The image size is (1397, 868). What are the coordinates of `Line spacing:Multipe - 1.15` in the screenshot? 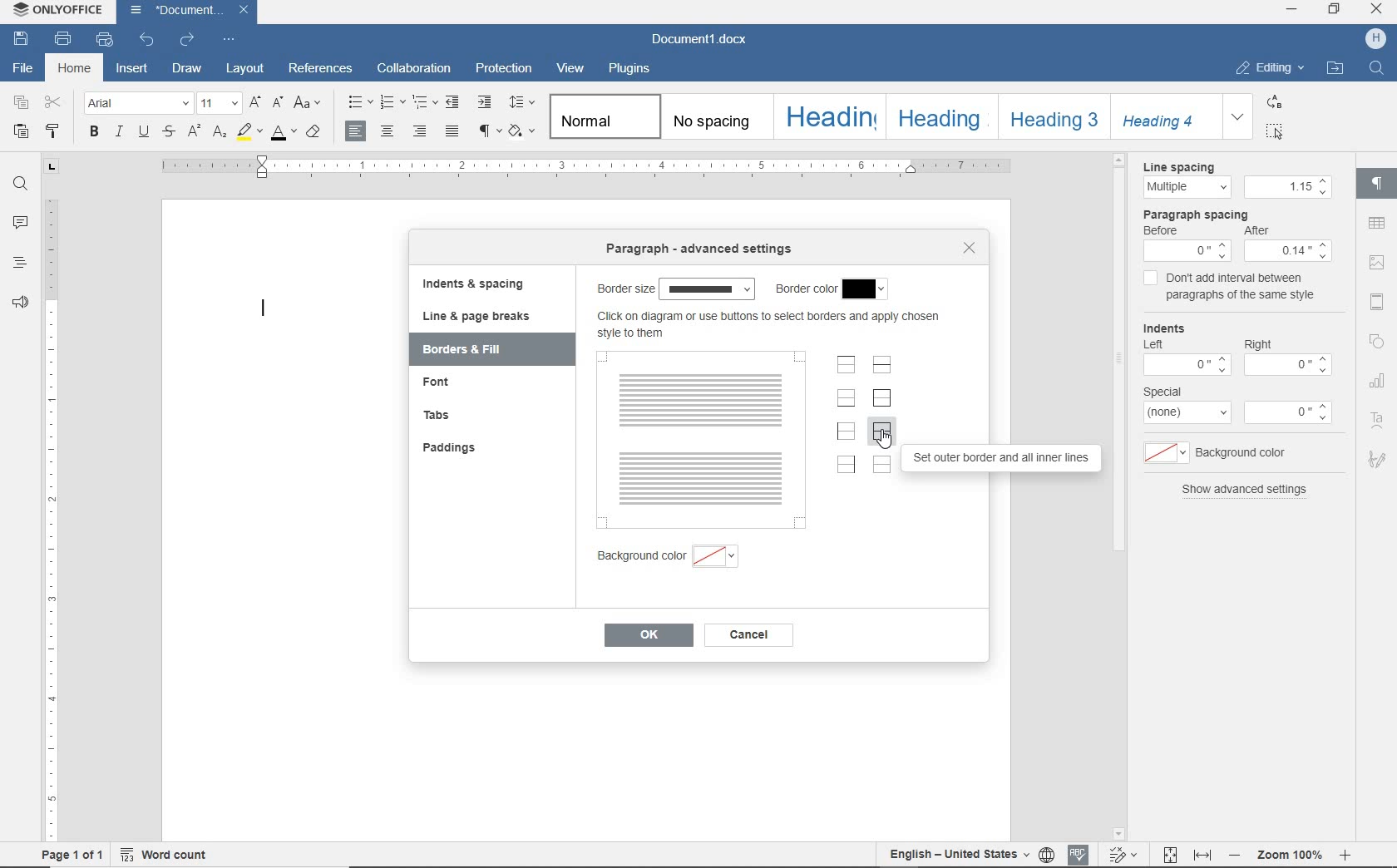 It's located at (1232, 181).